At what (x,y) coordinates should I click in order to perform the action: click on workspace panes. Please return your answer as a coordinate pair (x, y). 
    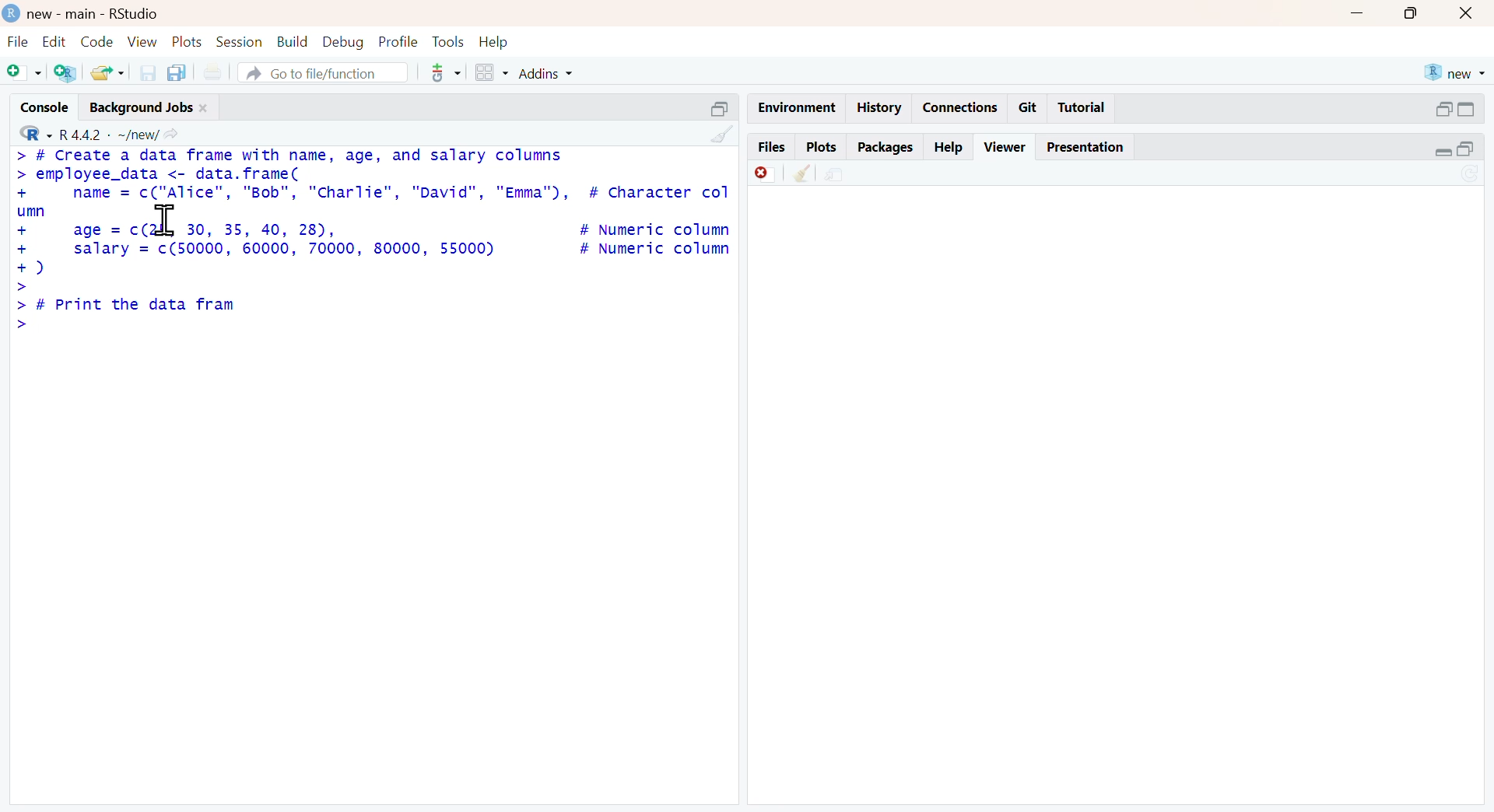
    Looking at the image, I should click on (491, 72).